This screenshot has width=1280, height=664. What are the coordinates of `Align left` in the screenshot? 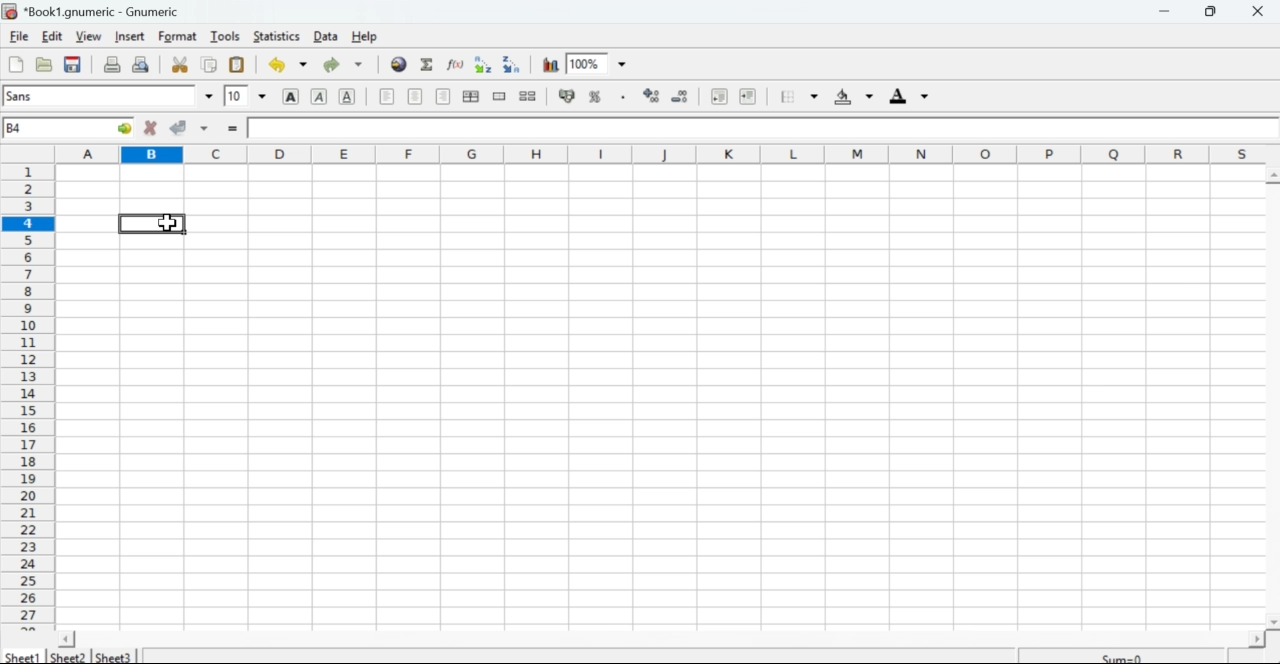 It's located at (387, 97).